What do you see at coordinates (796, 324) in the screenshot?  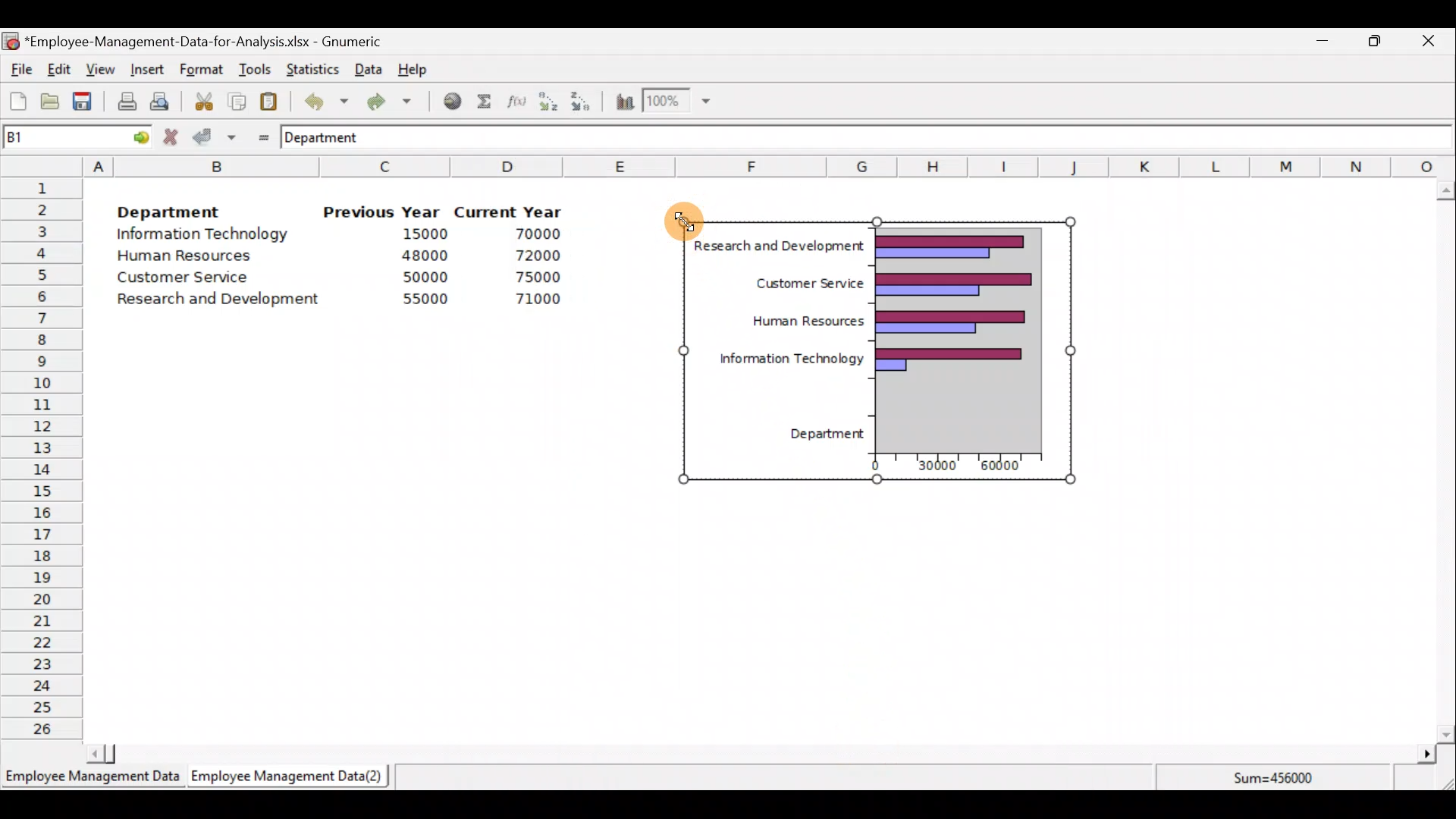 I see `Human Resources` at bounding box center [796, 324].